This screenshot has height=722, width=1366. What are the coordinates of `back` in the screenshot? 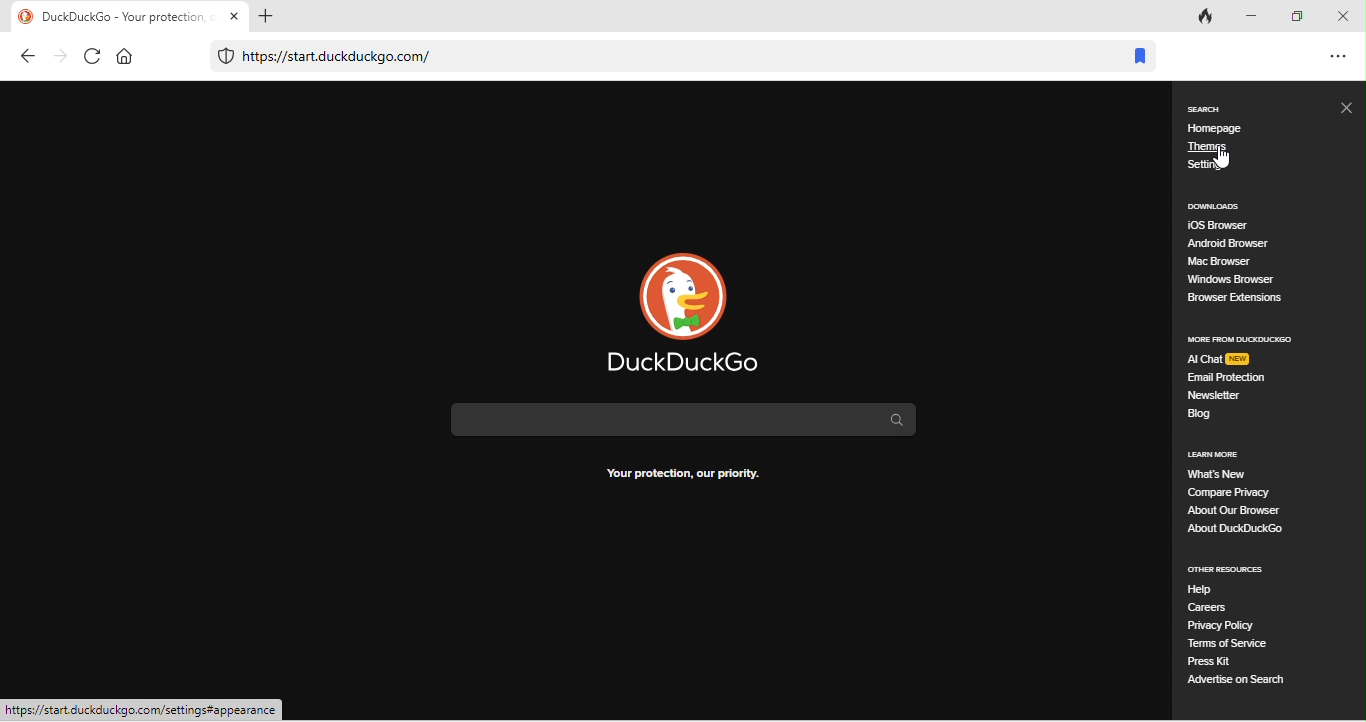 It's located at (29, 56).